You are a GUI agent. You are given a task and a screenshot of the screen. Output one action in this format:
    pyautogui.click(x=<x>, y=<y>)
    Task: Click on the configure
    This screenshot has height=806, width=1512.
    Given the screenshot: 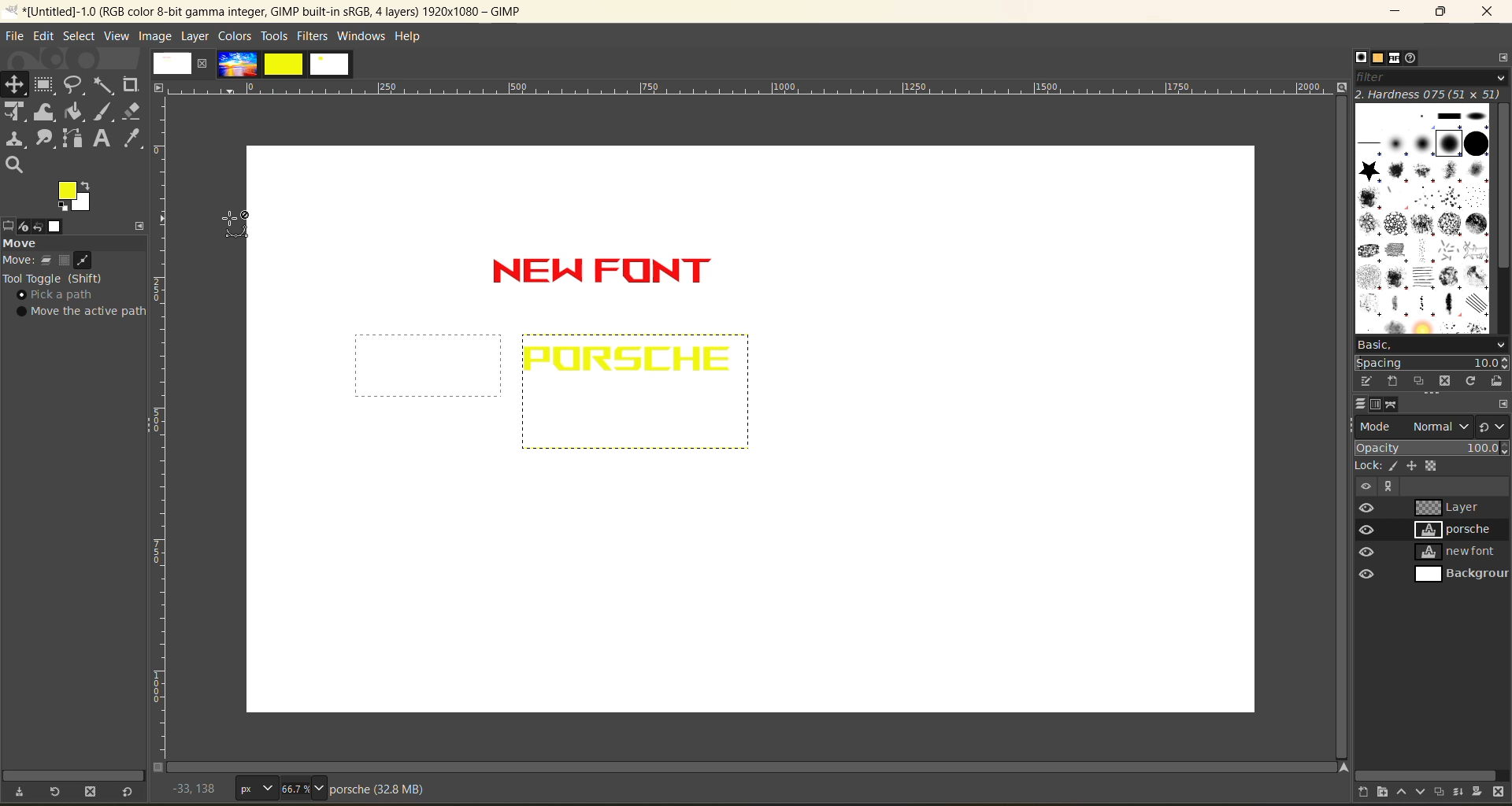 What is the action you would take?
    pyautogui.click(x=1503, y=403)
    